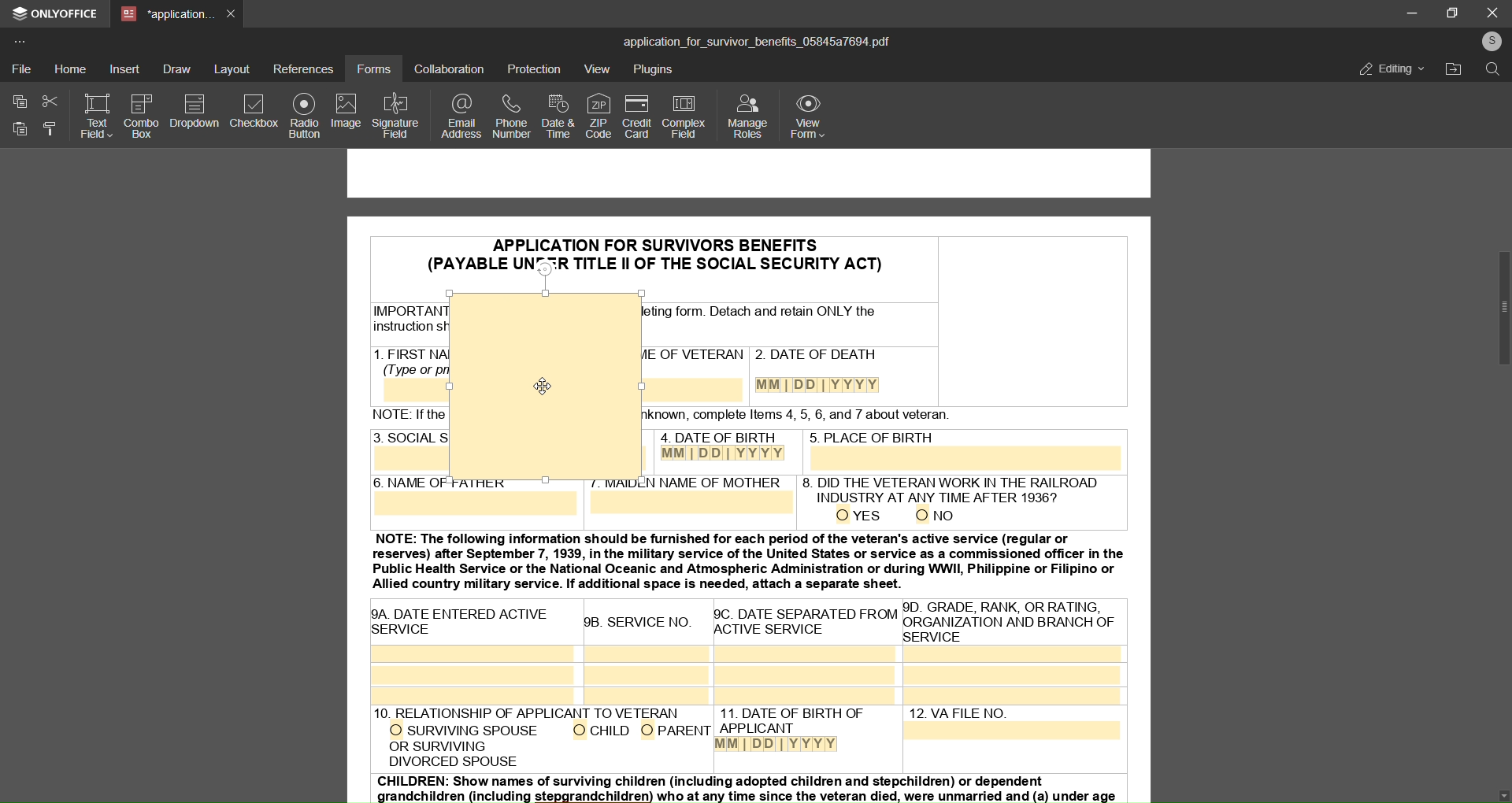 The width and height of the screenshot is (1512, 803). What do you see at coordinates (373, 68) in the screenshot?
I see `forms` at bounding box center [373, 68].